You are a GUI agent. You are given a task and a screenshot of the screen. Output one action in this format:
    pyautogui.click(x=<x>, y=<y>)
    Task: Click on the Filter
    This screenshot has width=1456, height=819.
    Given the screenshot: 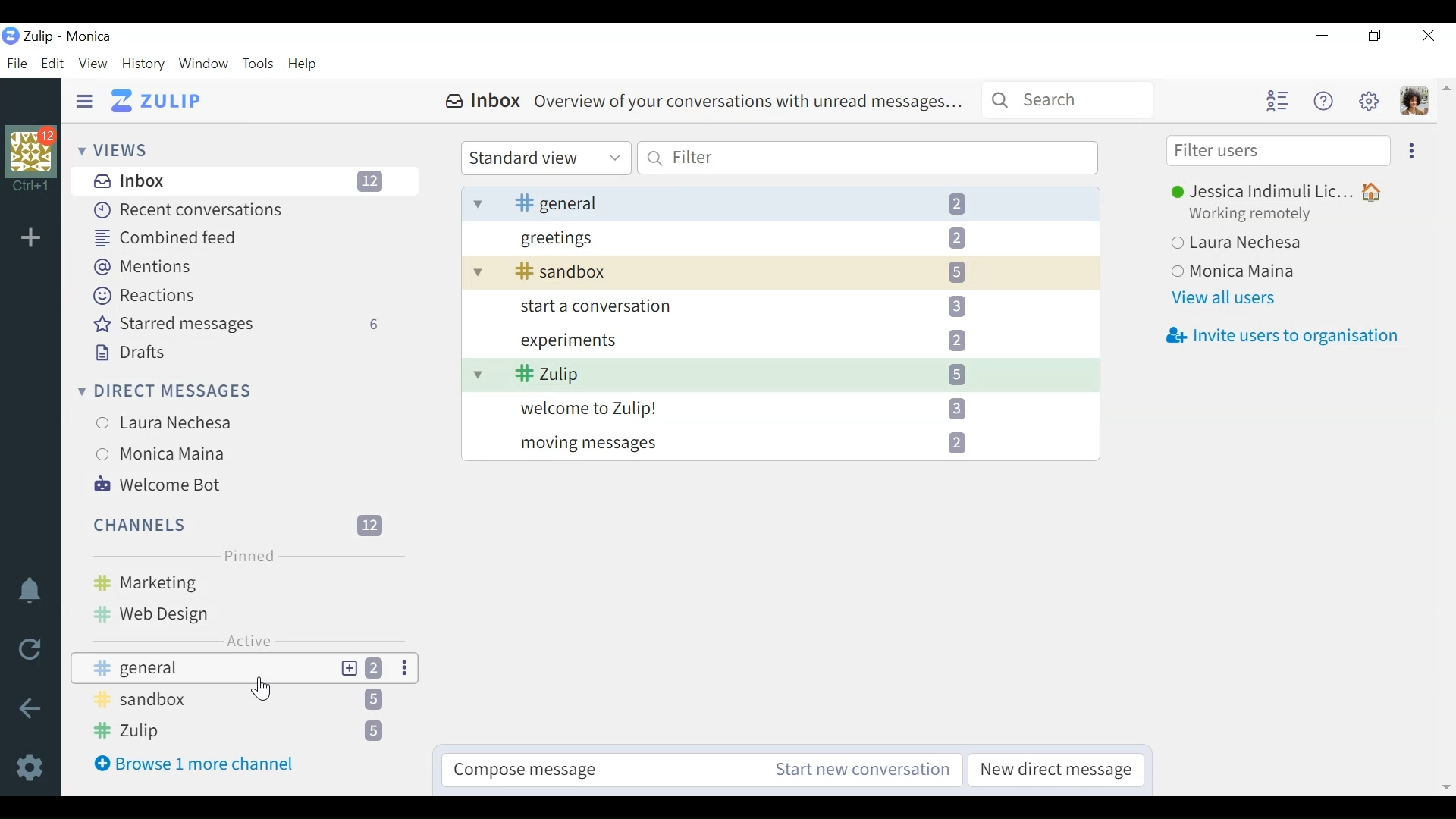 What is the action you would take?
    pyautogui.click(x=867, y=157)
    